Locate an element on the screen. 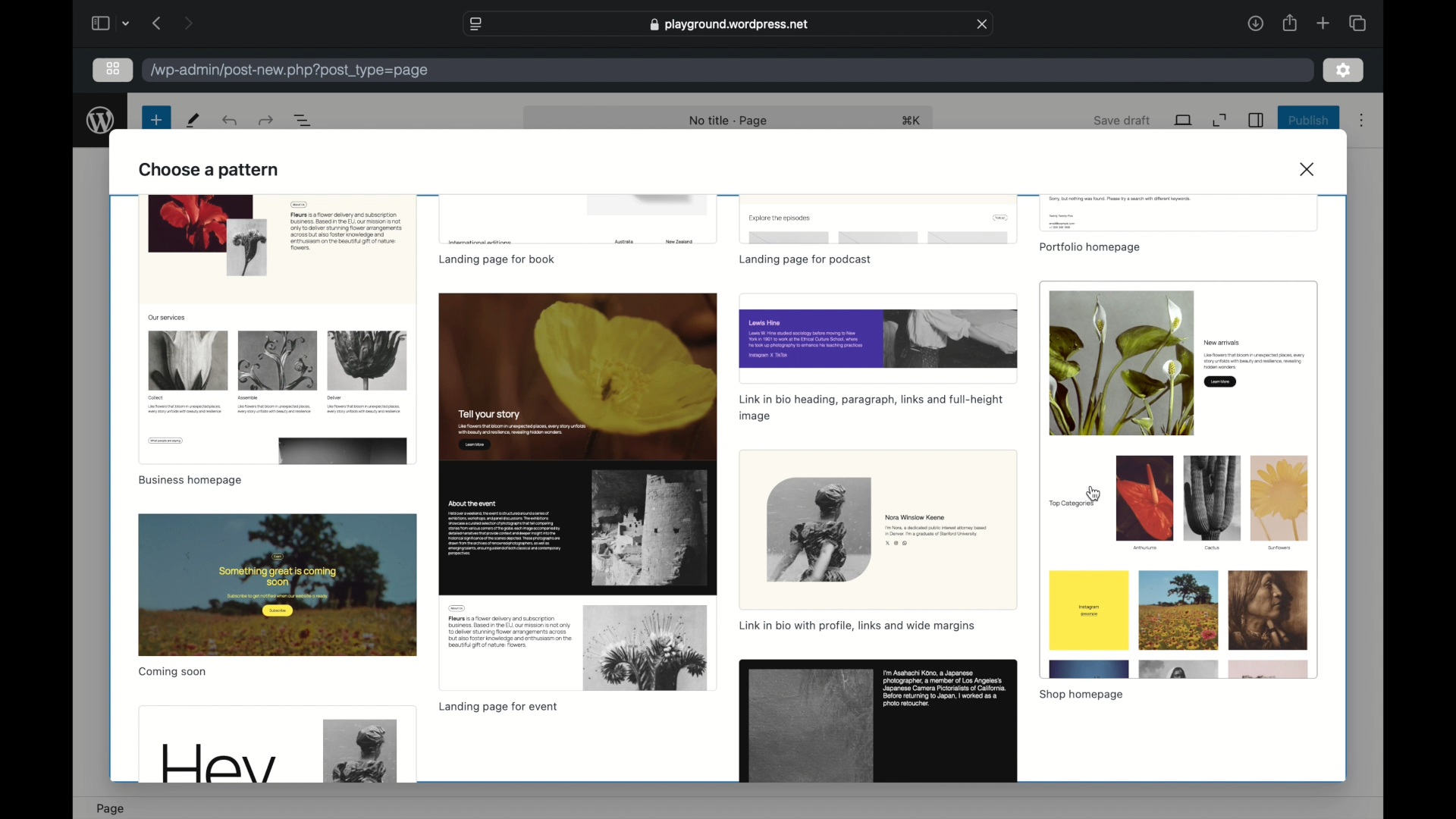 Image resolution: width=1456 pixels, height=819 pixels. shortcut is located at coordinates (914, 121).